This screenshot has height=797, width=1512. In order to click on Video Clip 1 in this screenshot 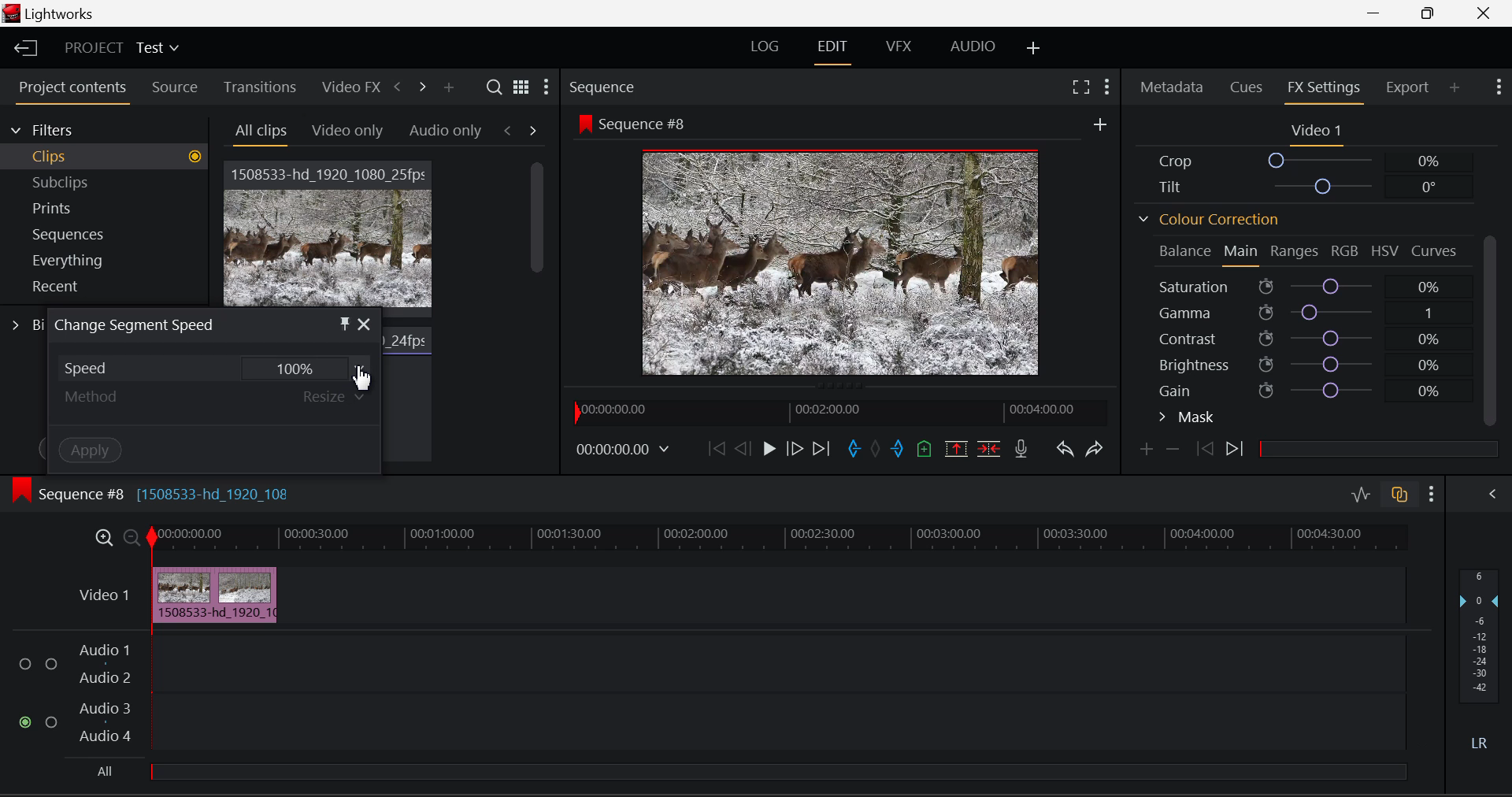, I will do `click(329, 235)`.